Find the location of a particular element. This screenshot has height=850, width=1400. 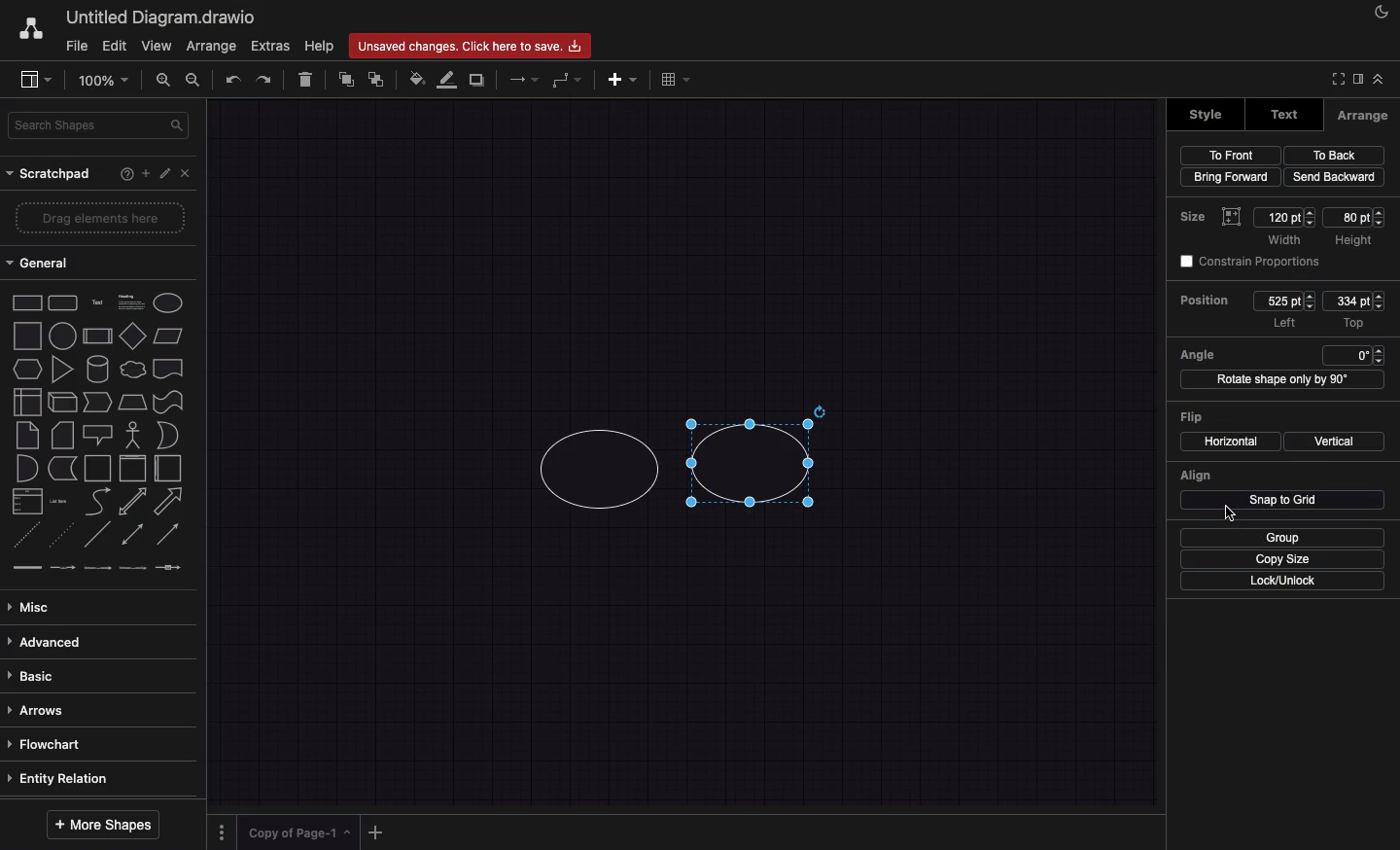

list is located at coordinates (27, 502).